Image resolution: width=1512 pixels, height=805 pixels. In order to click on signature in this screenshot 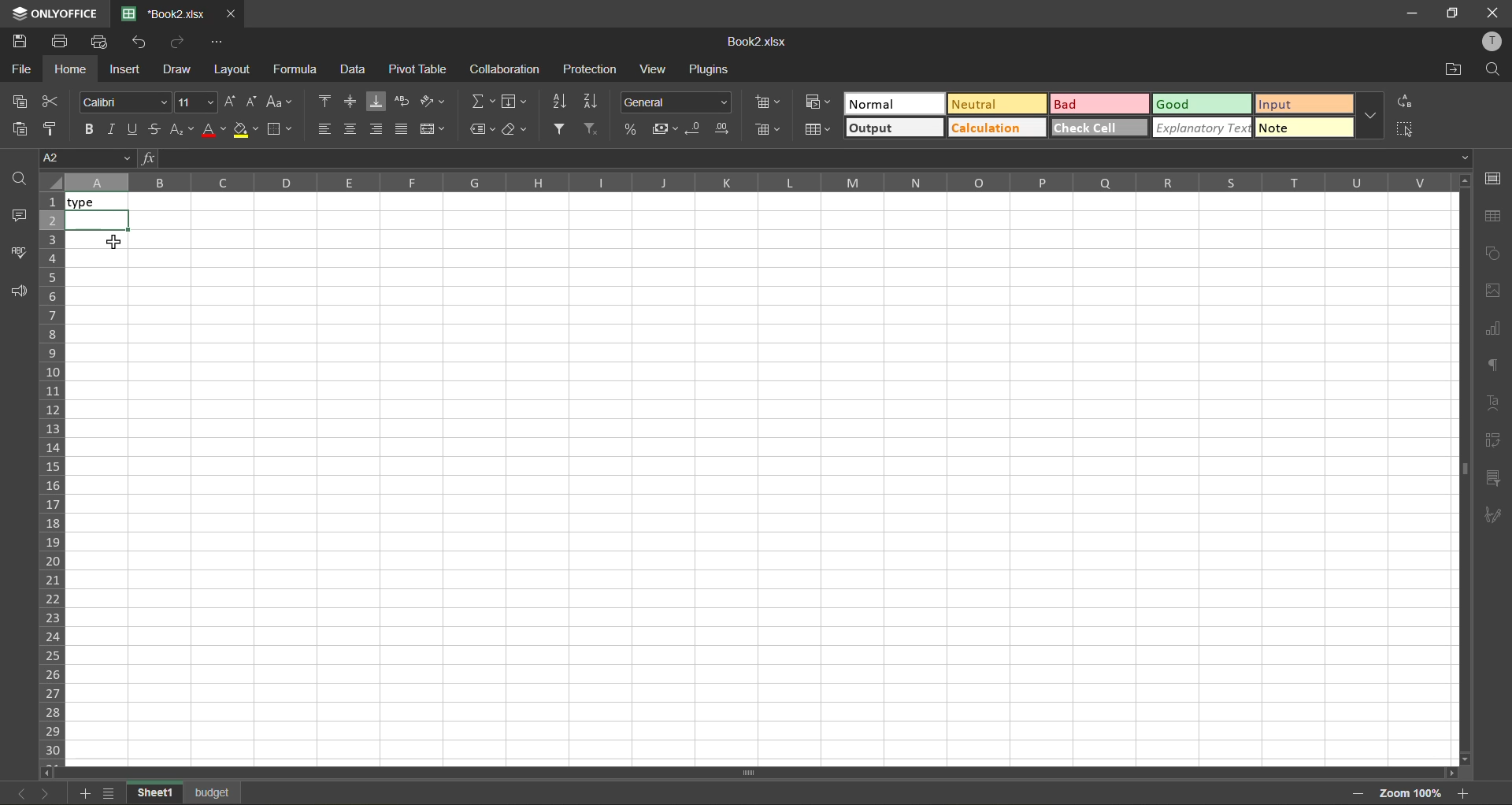, I will do `click(1494, 518)`.